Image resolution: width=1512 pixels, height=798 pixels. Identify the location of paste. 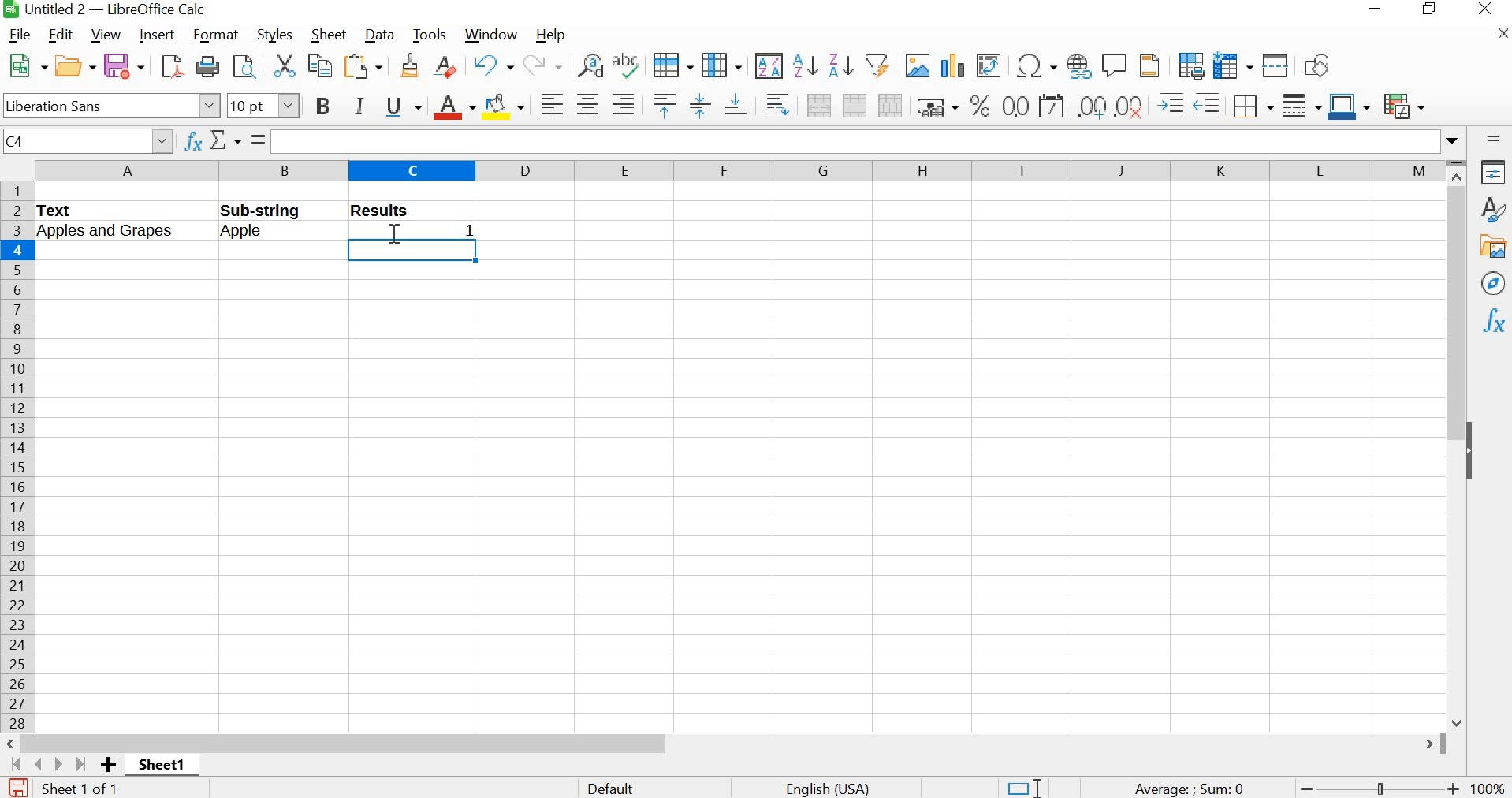
(365, 66).